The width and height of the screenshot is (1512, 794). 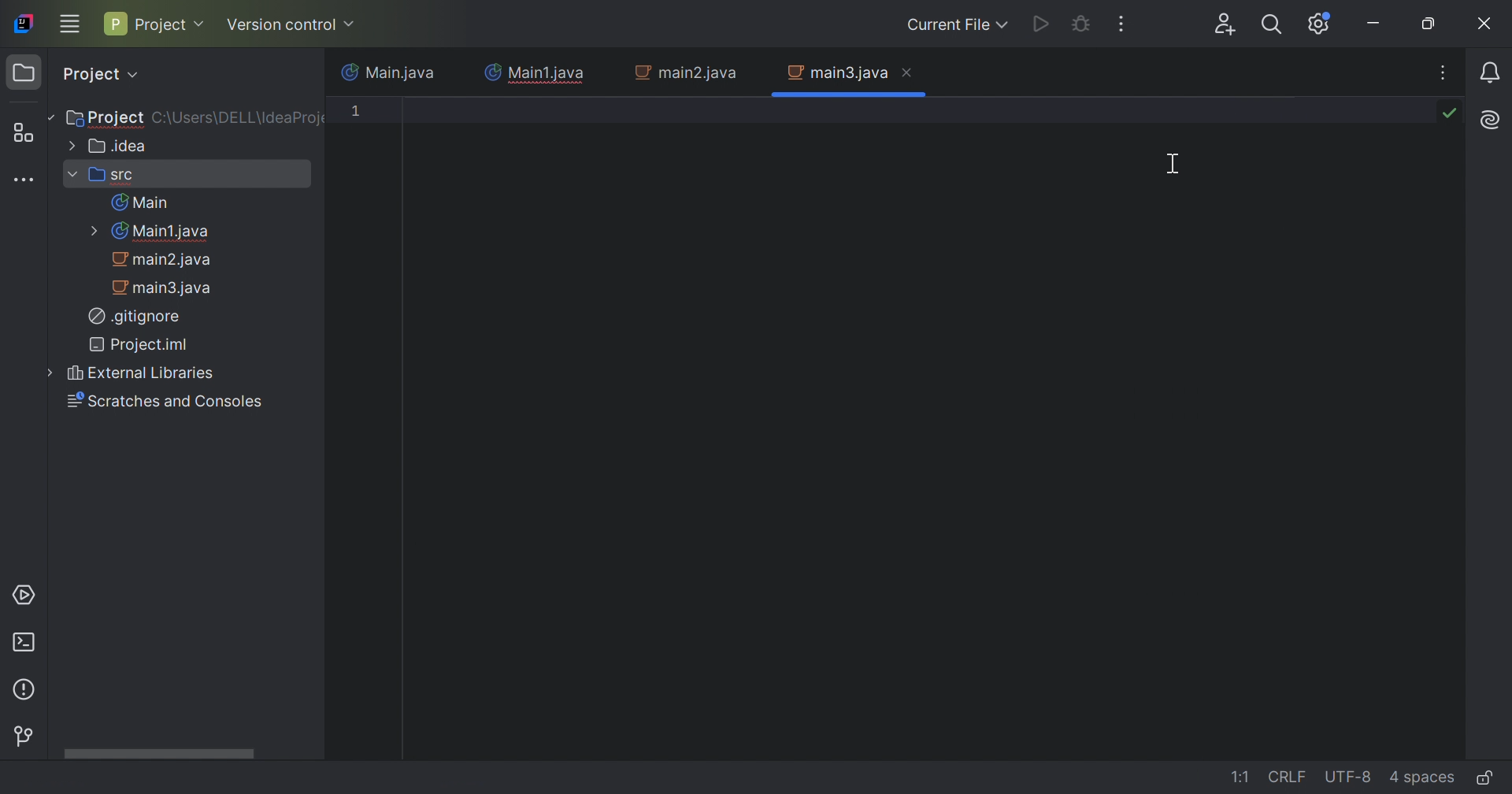 What do you see at coordinates (165, 287) in the screenshot?
I see `main3.java` at bounding box center [165, 287].